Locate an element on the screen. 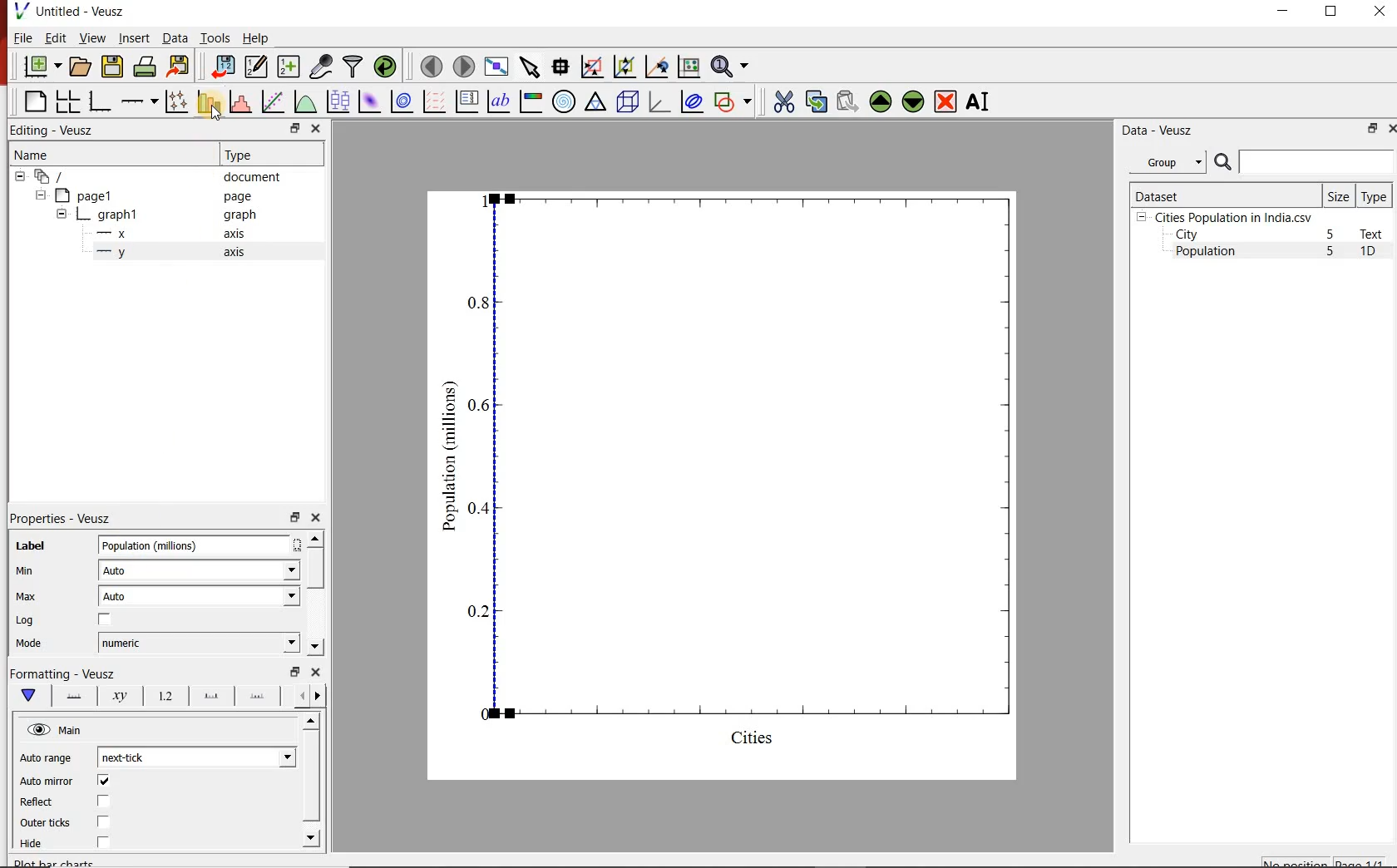 The image size is (1397, 868). search dataset is located at coordinates (1305, 162).